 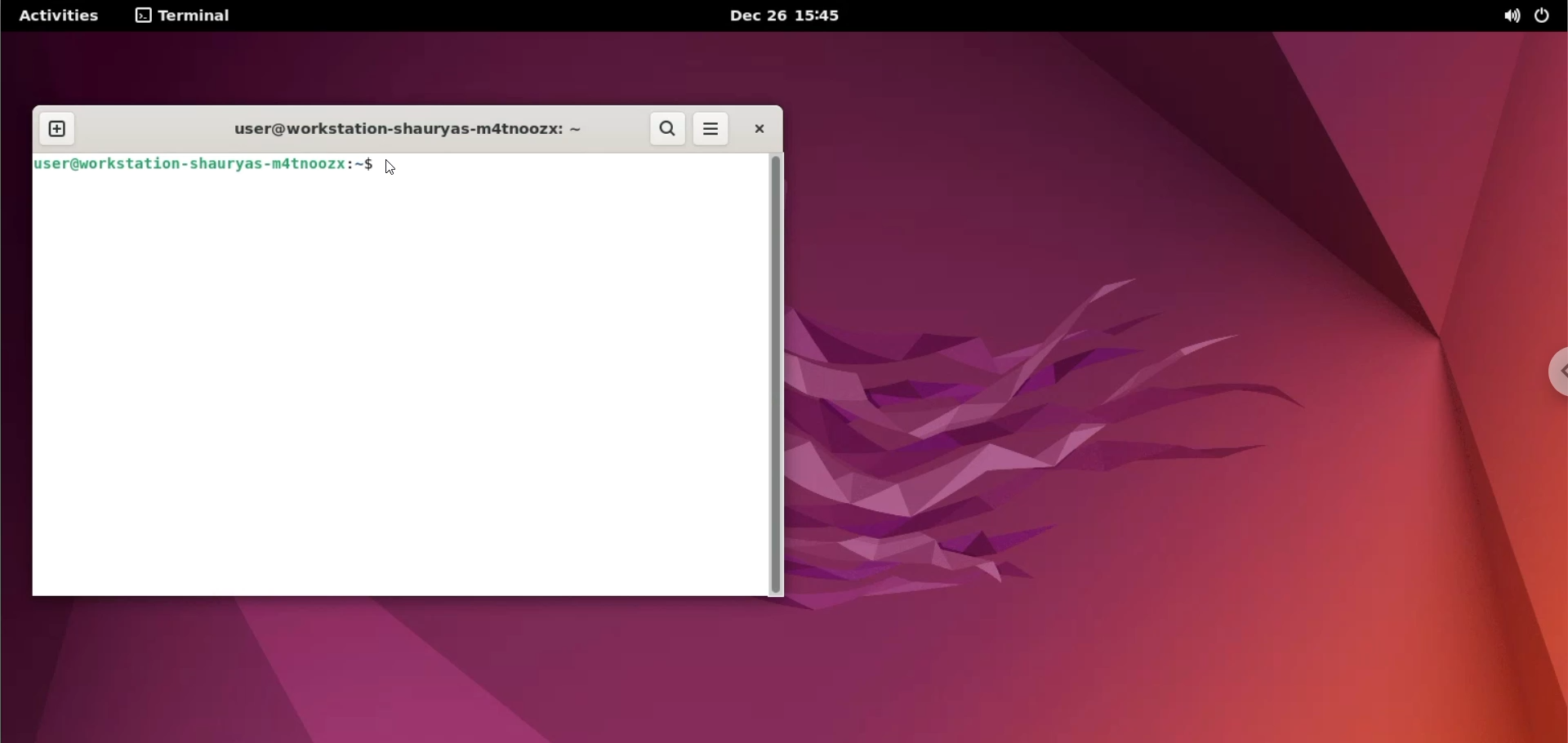 What do you see at coordinates (1545, 16) in the screenshot?
I see `power options` at bounding box center [1545, 16].